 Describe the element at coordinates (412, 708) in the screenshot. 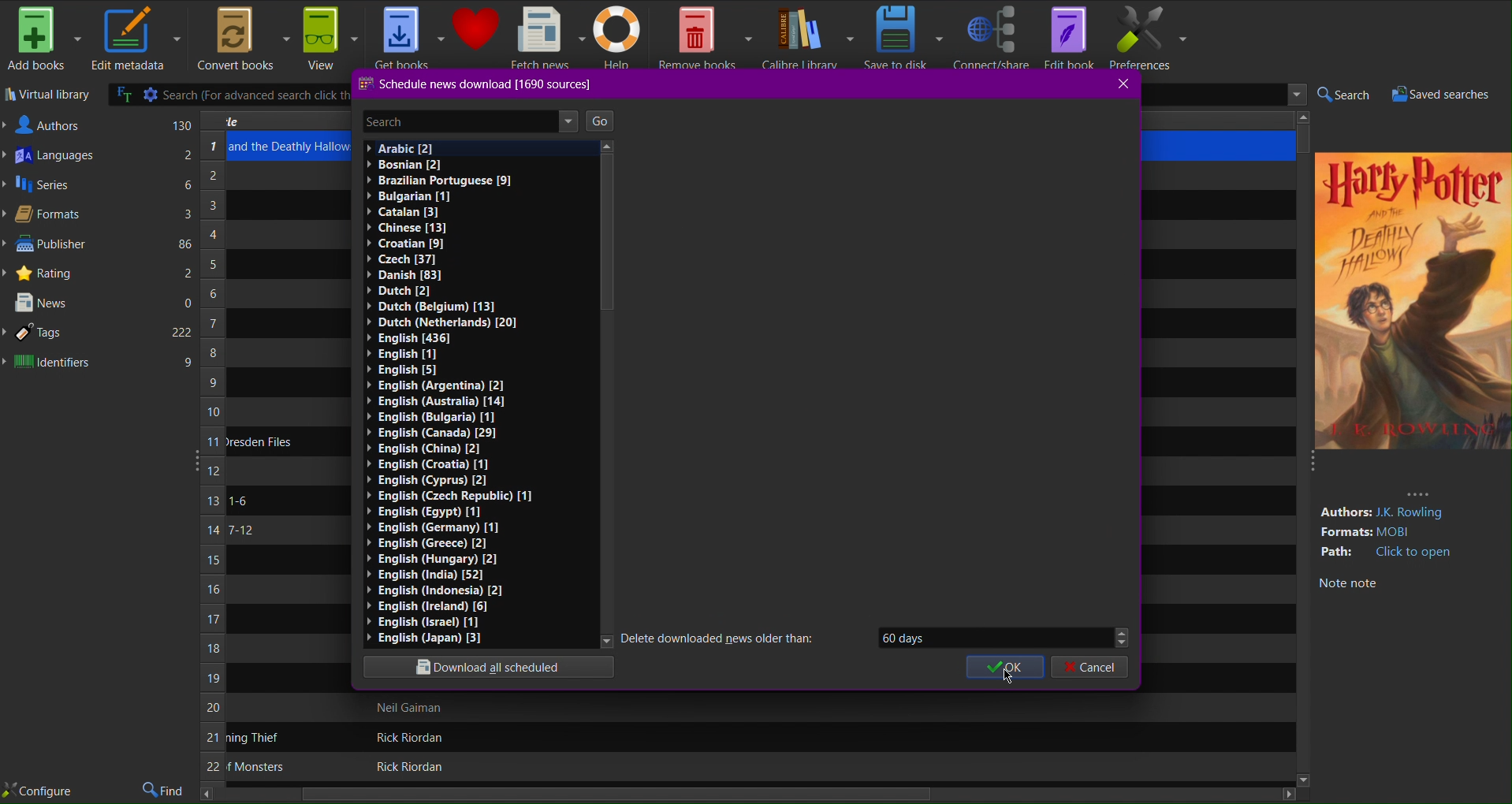

I see `Neil Gaiman` at that location.